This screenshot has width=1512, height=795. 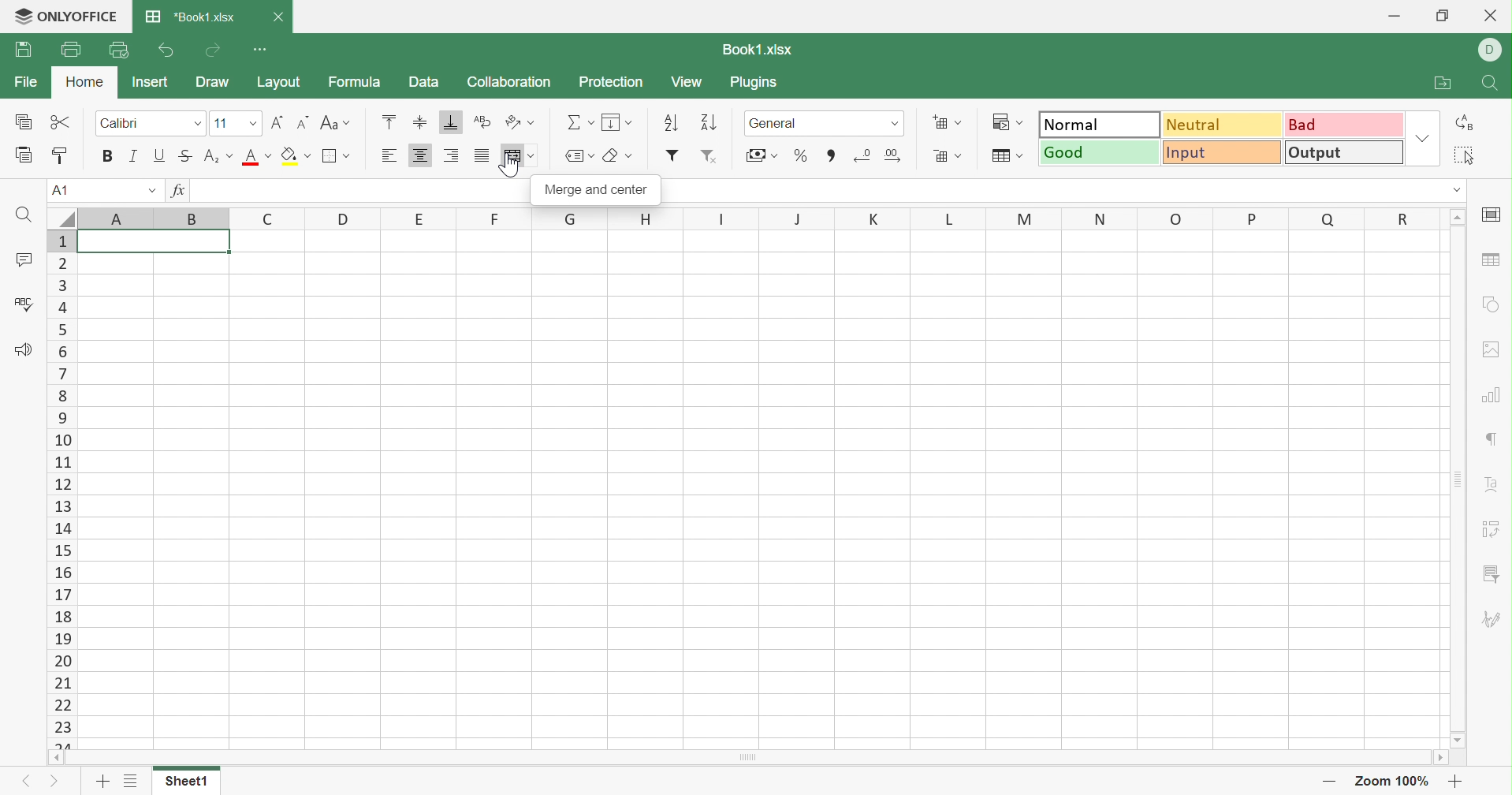 What do you see at coordinates (1441, 760) in the screenshot?
I see `Scroll Right` at bounding box center [1441, 760].